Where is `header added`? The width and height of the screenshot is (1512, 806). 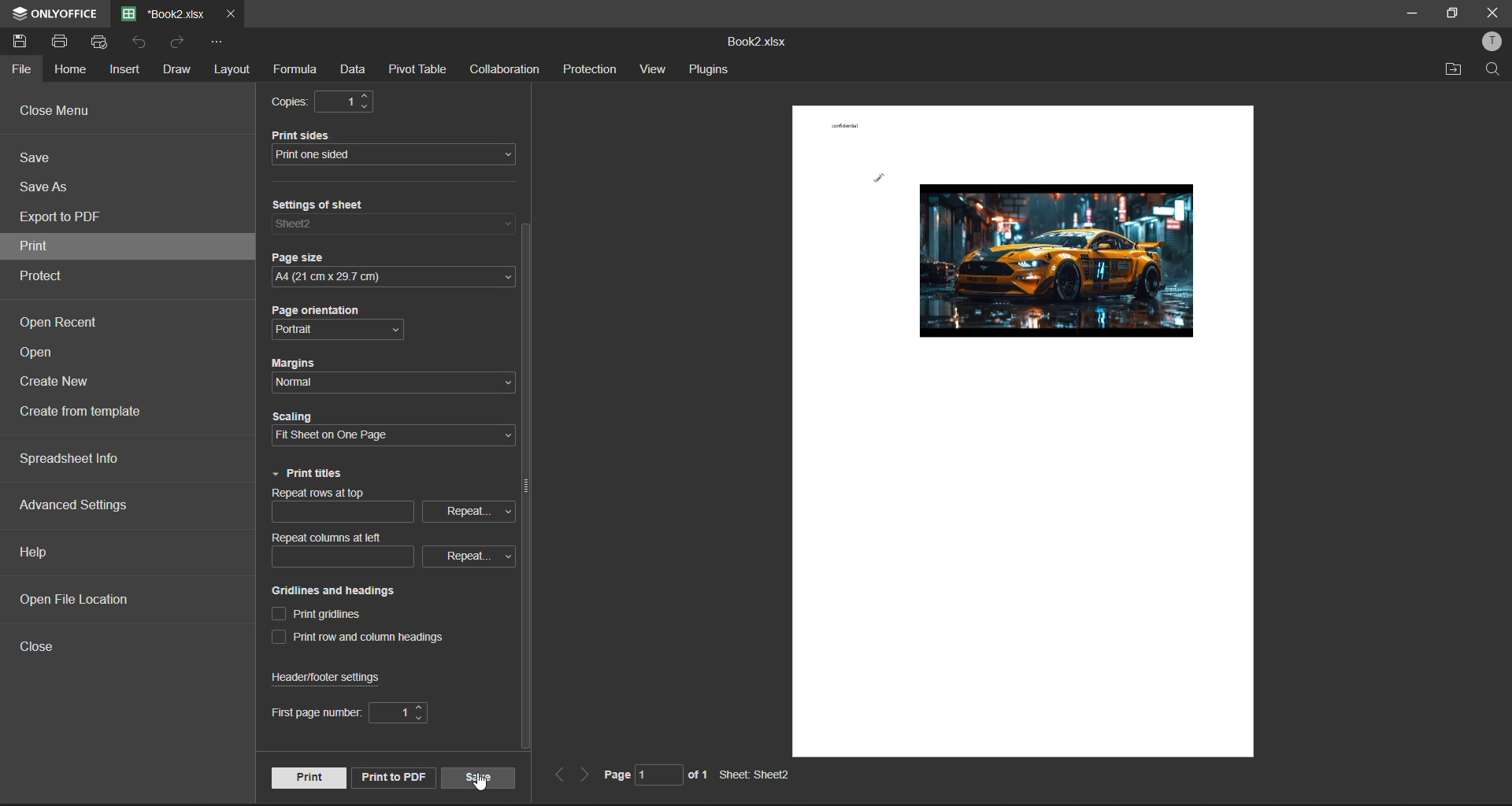
header added is located at coordinates (845, 124).